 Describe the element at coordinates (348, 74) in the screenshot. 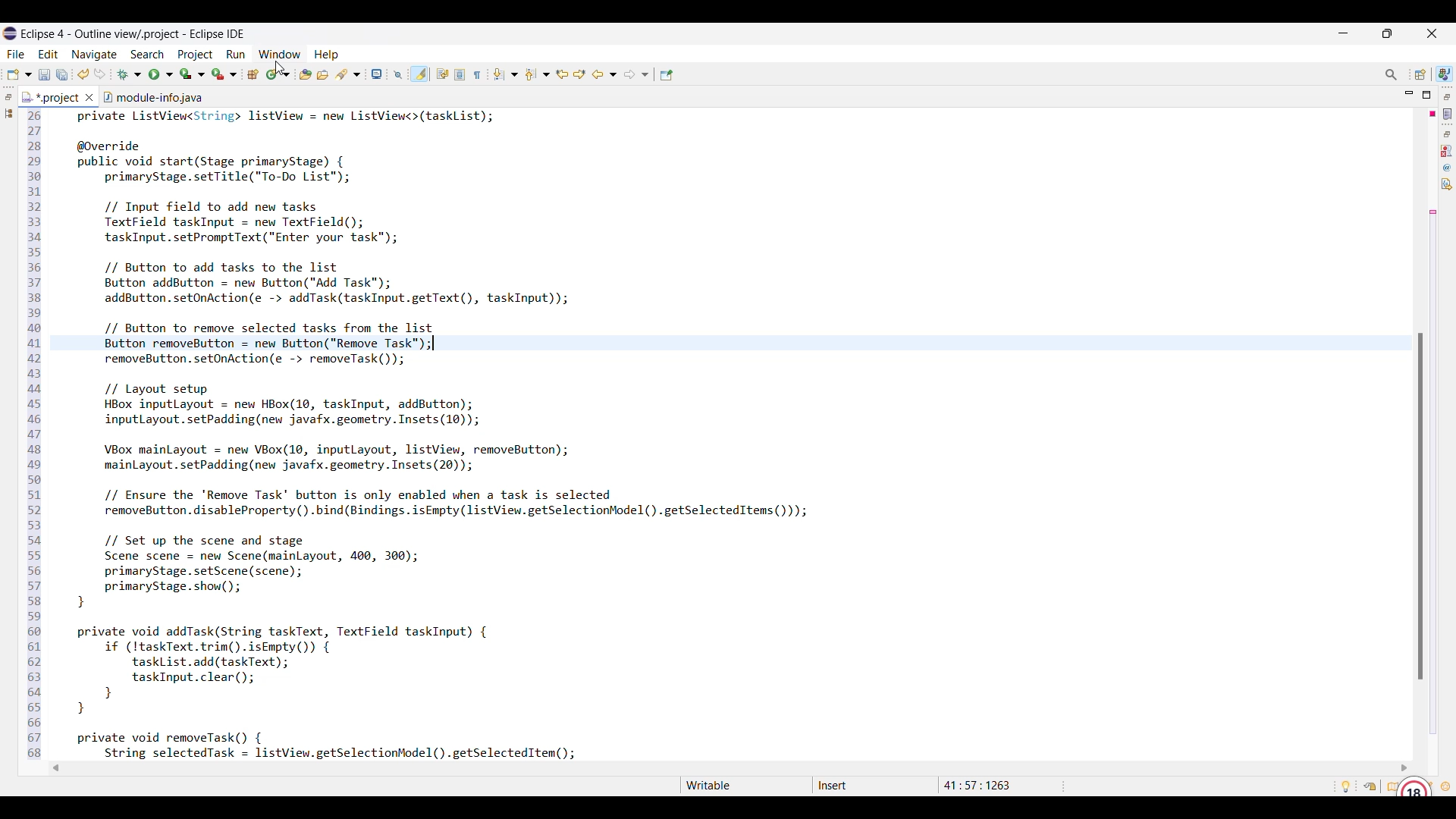

I see `Search options` at that location.